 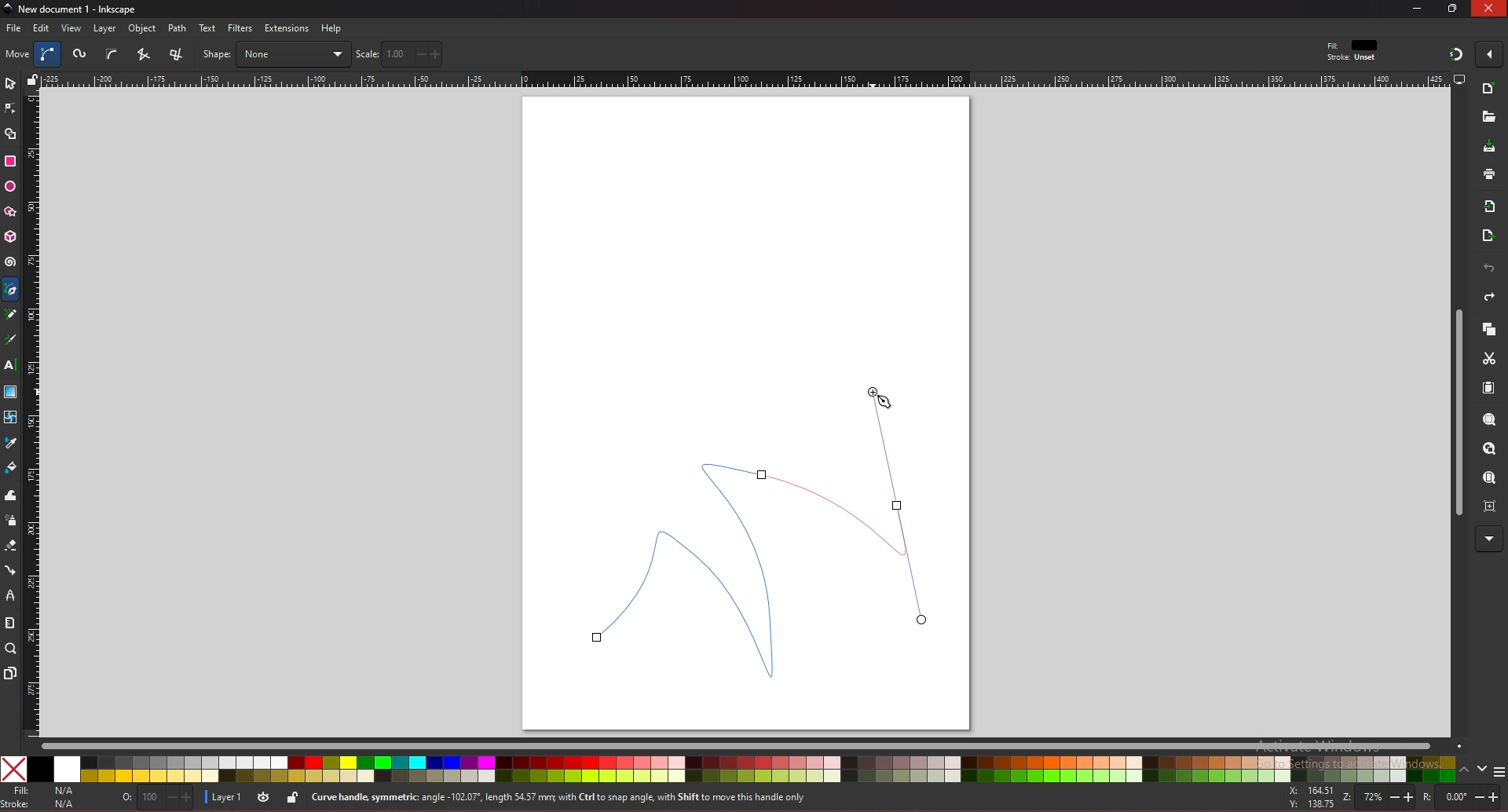 I want to click on text, so click(x=9, y=365).